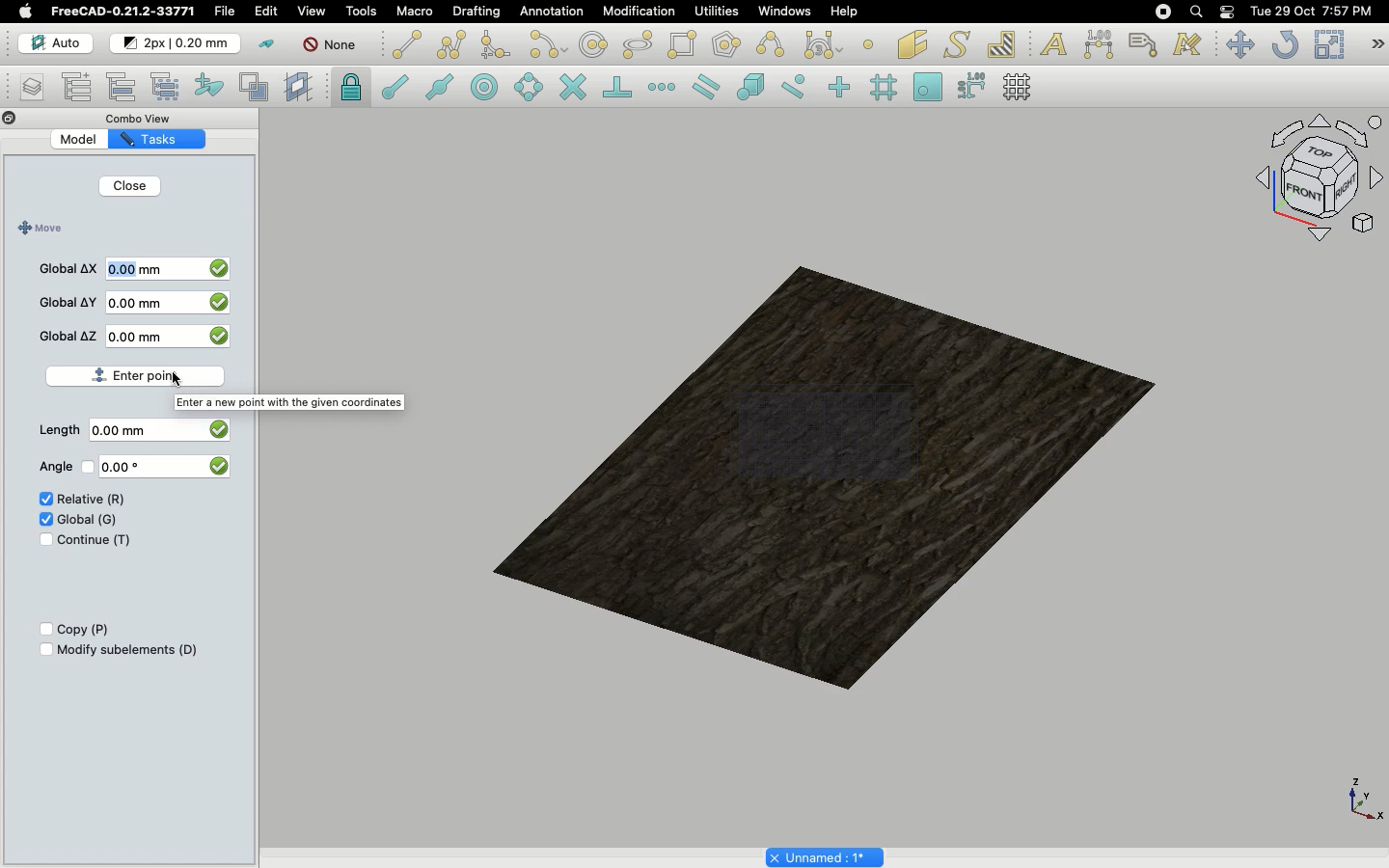  Describe the element at coordinates (478, 11) in the screenshot. I see `Drafting` at that location.